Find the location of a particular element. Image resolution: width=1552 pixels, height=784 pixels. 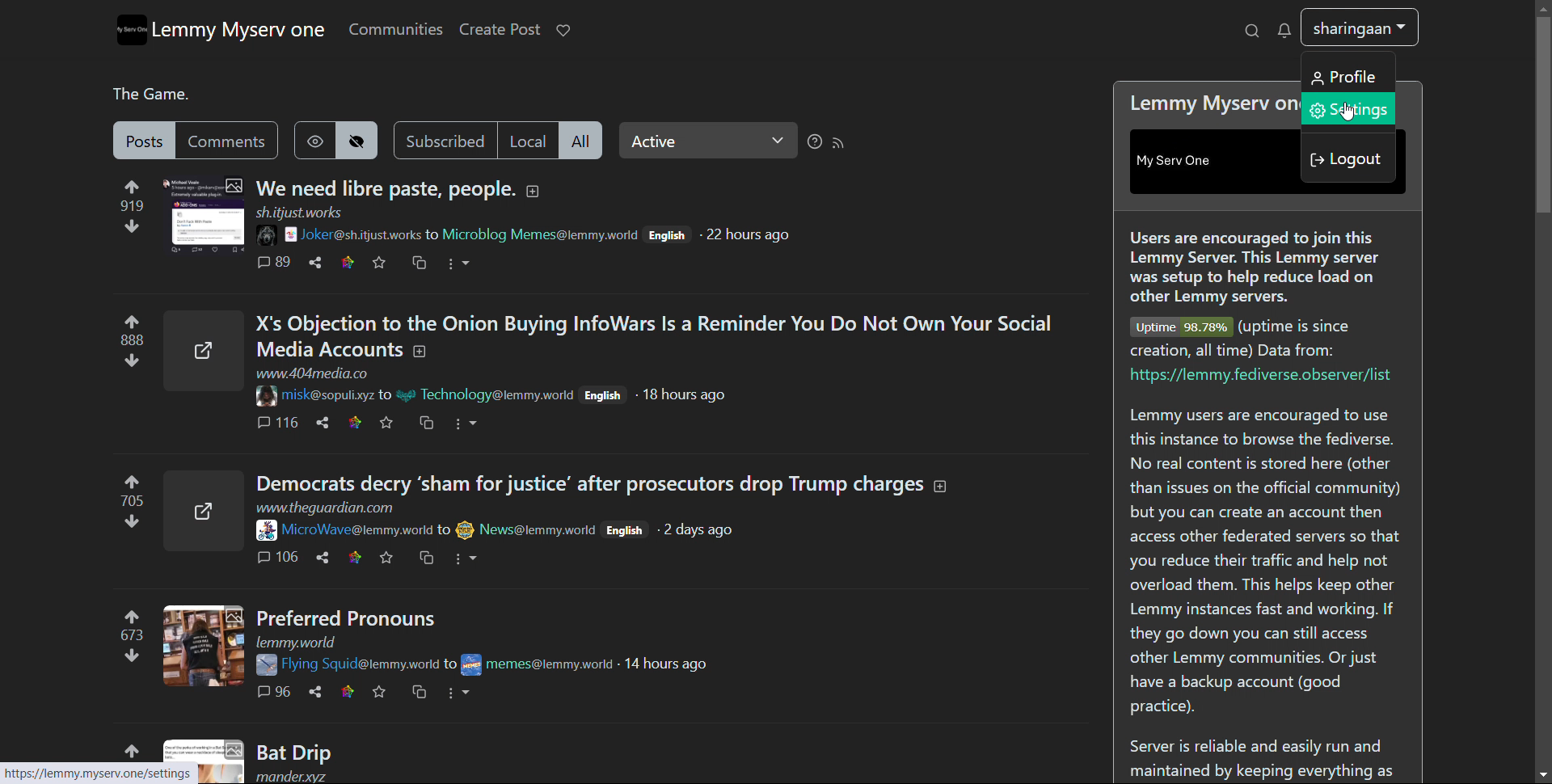

lemmy myserv one is located at coordinates (238, 30).